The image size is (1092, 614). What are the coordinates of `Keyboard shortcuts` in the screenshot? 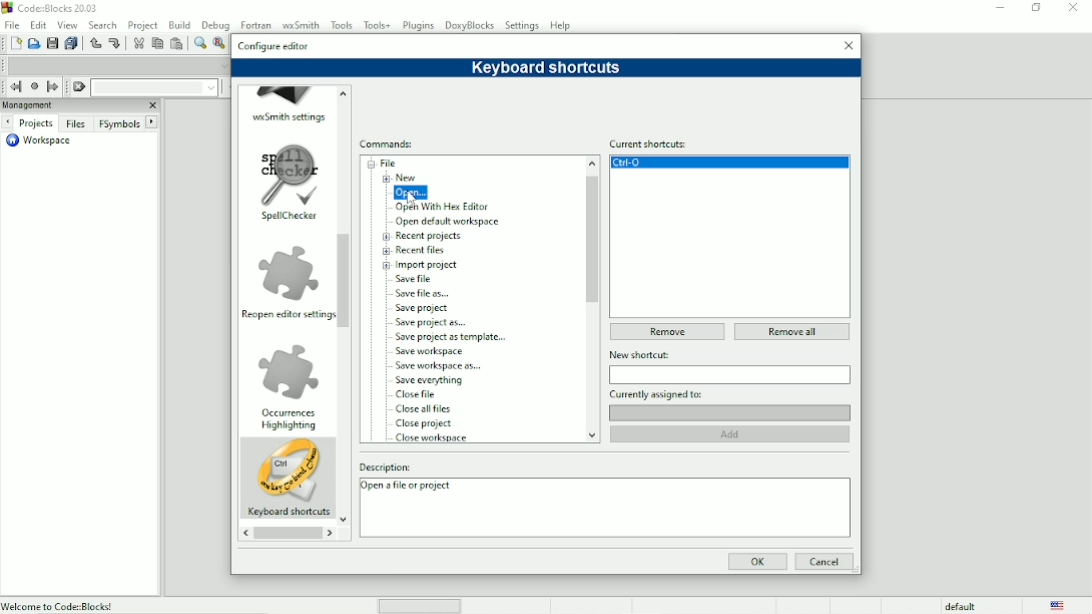 It's located at (547, 68).